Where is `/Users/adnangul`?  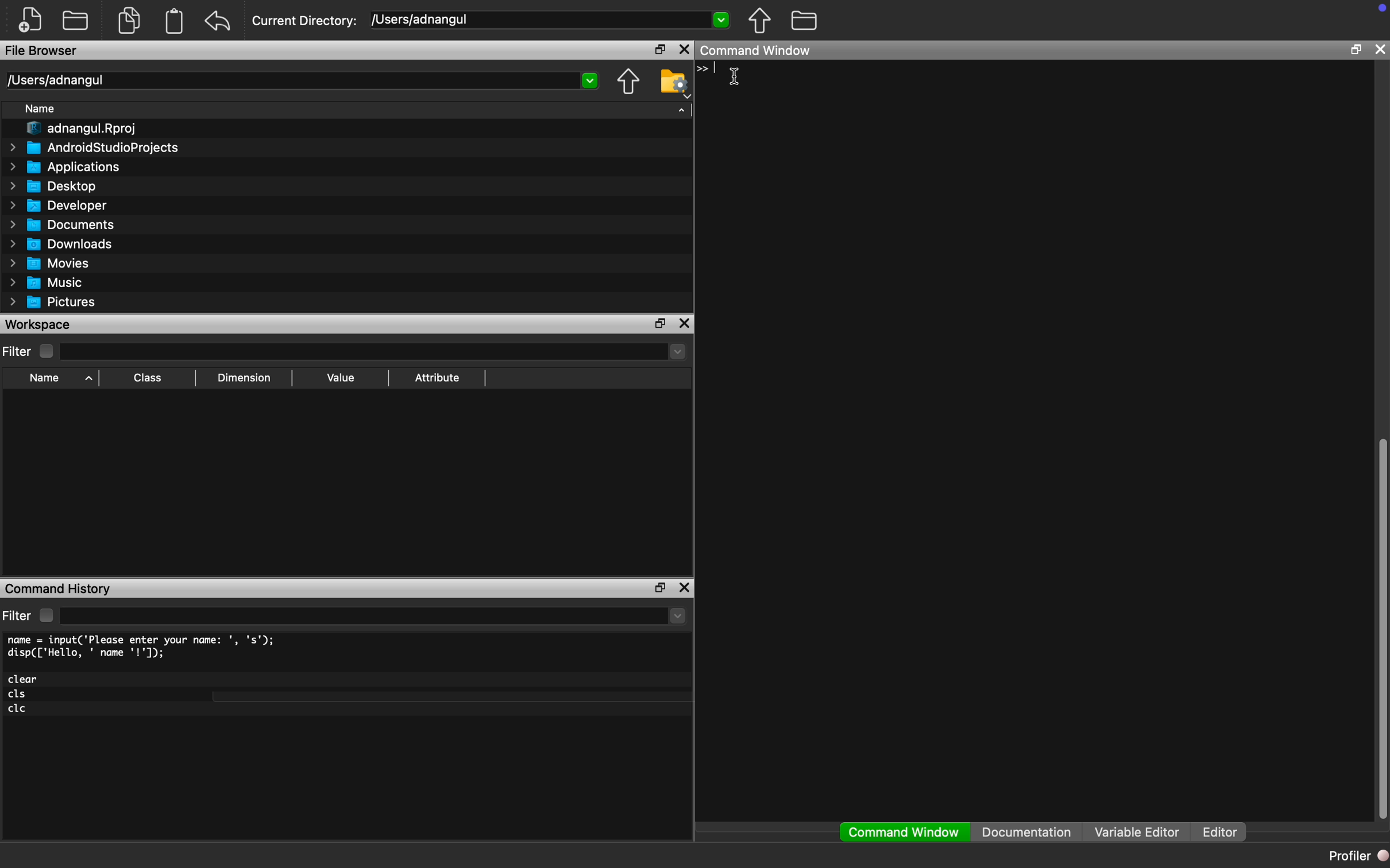
/Users/adnangul is located at coordinates (422, 19).